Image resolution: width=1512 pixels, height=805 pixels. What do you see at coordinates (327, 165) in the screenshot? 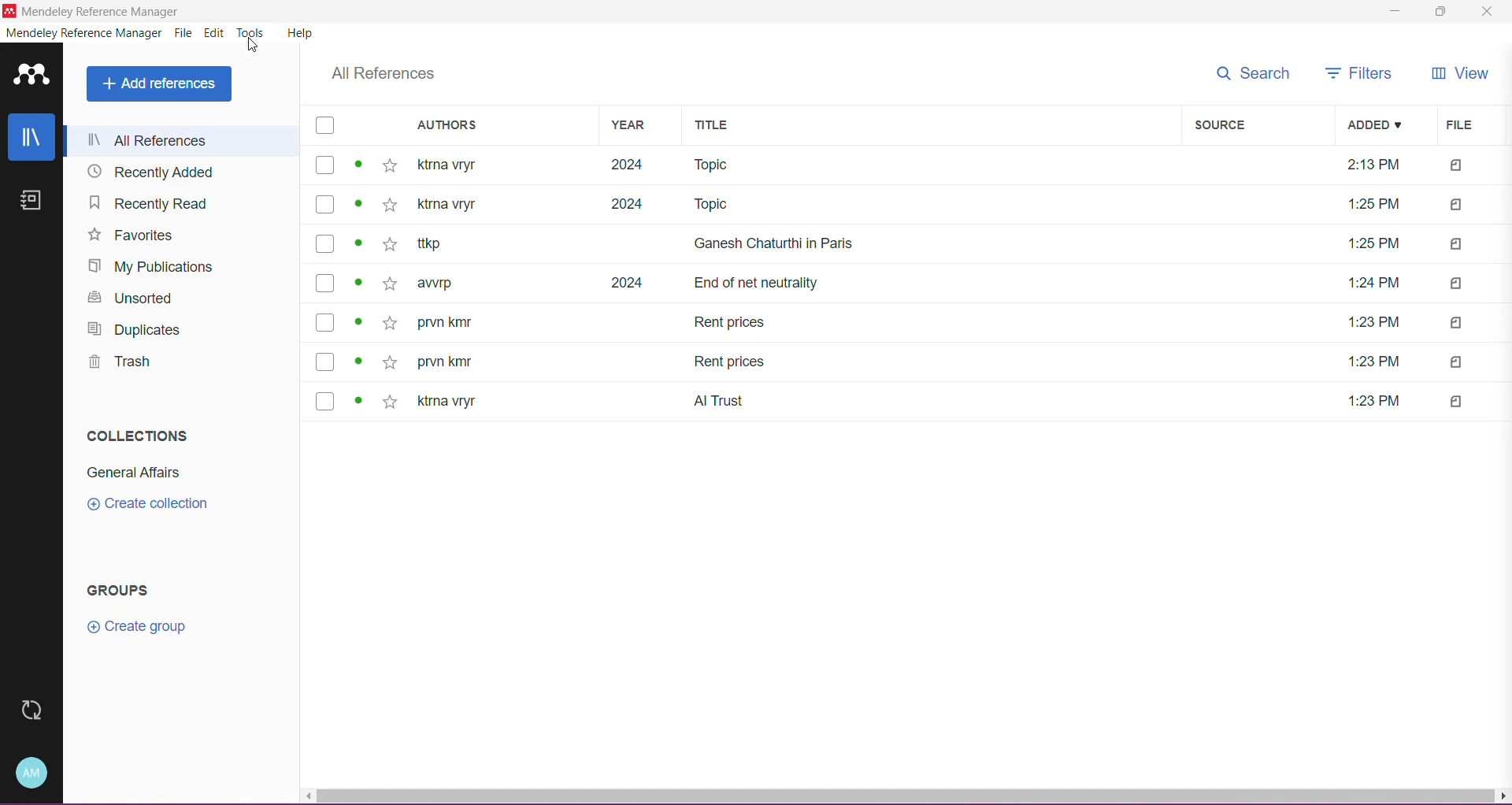
I see `checkbox` at bounding box center [327, 165].